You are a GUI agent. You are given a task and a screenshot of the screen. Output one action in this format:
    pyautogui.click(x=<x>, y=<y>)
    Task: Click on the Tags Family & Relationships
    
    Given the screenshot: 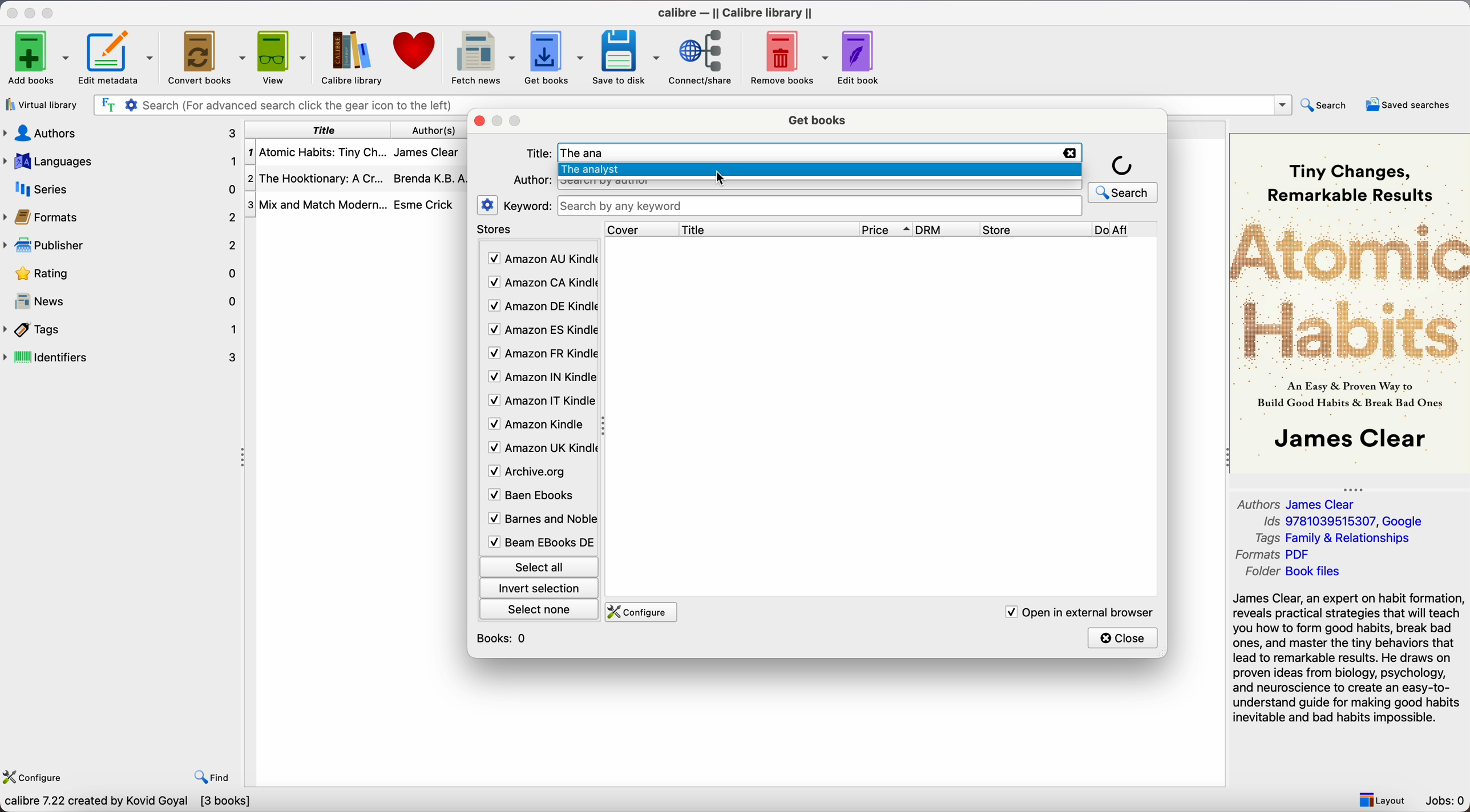 What is the action you would take?
    pyautogui.click(x=1332, y=539)
    